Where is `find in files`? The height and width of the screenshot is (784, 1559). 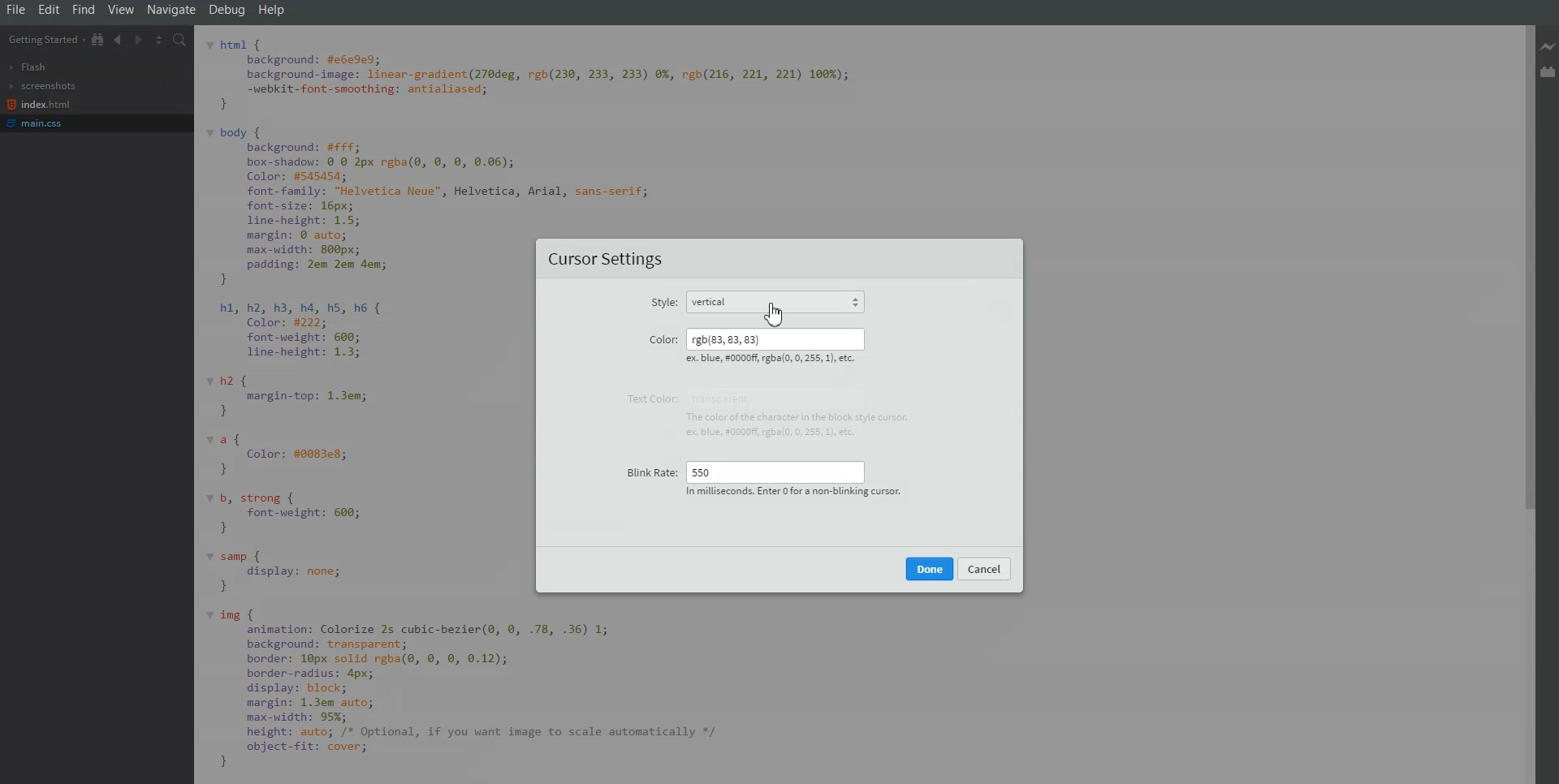 find in files is located at coordinates (181, 40).